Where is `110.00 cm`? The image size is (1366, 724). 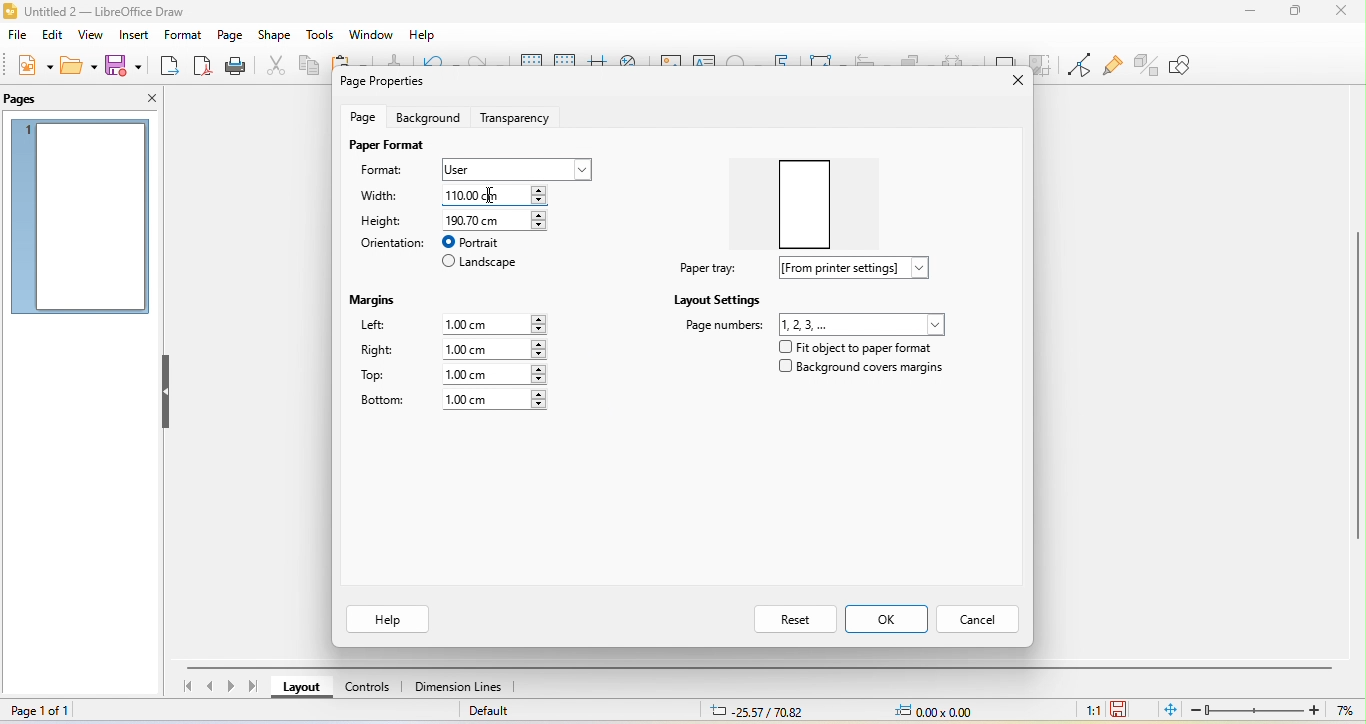
110.00 cm is located at coordinates (495, 194).